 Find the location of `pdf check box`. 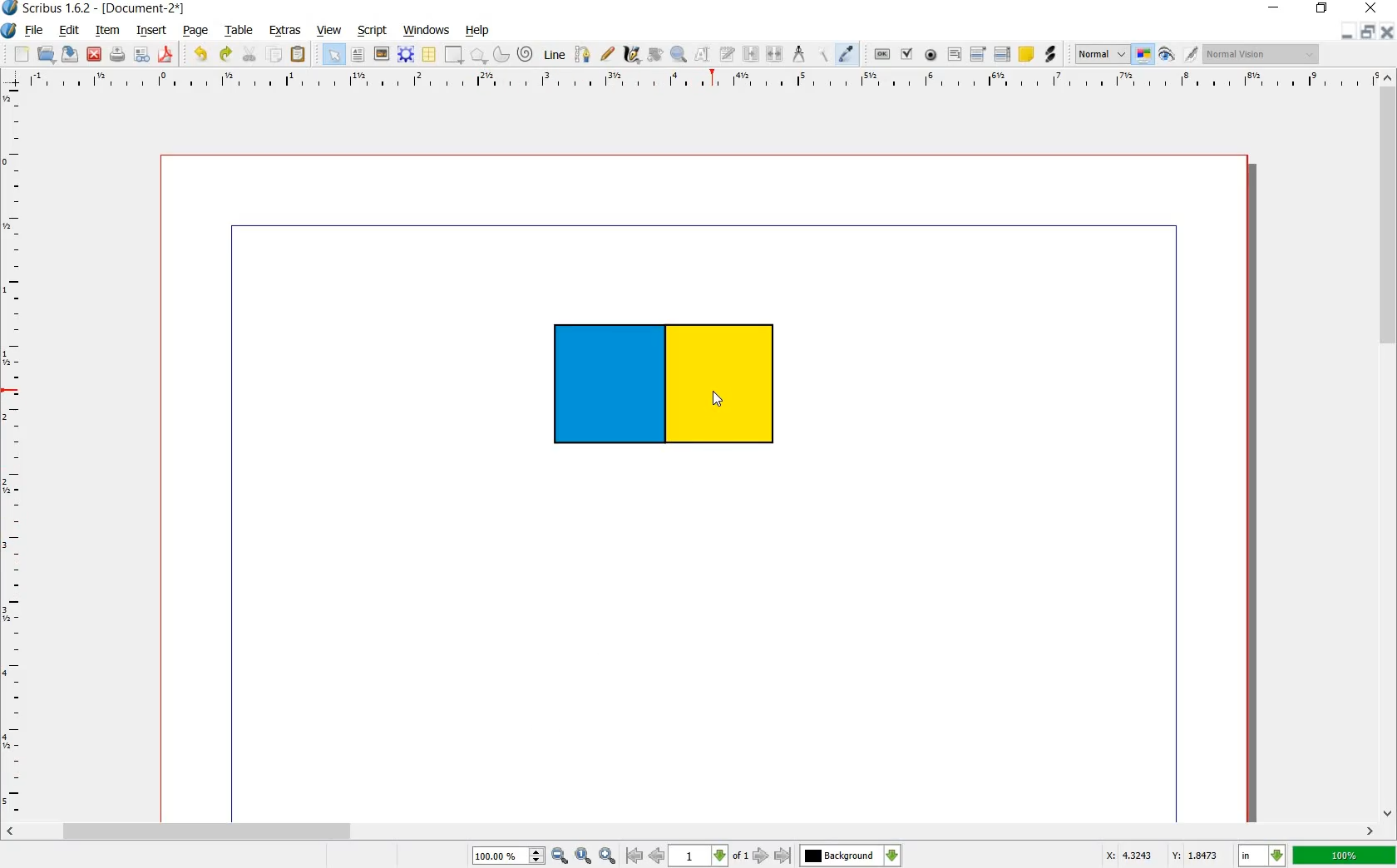

pdf check box is located at coordinates (906, 54).